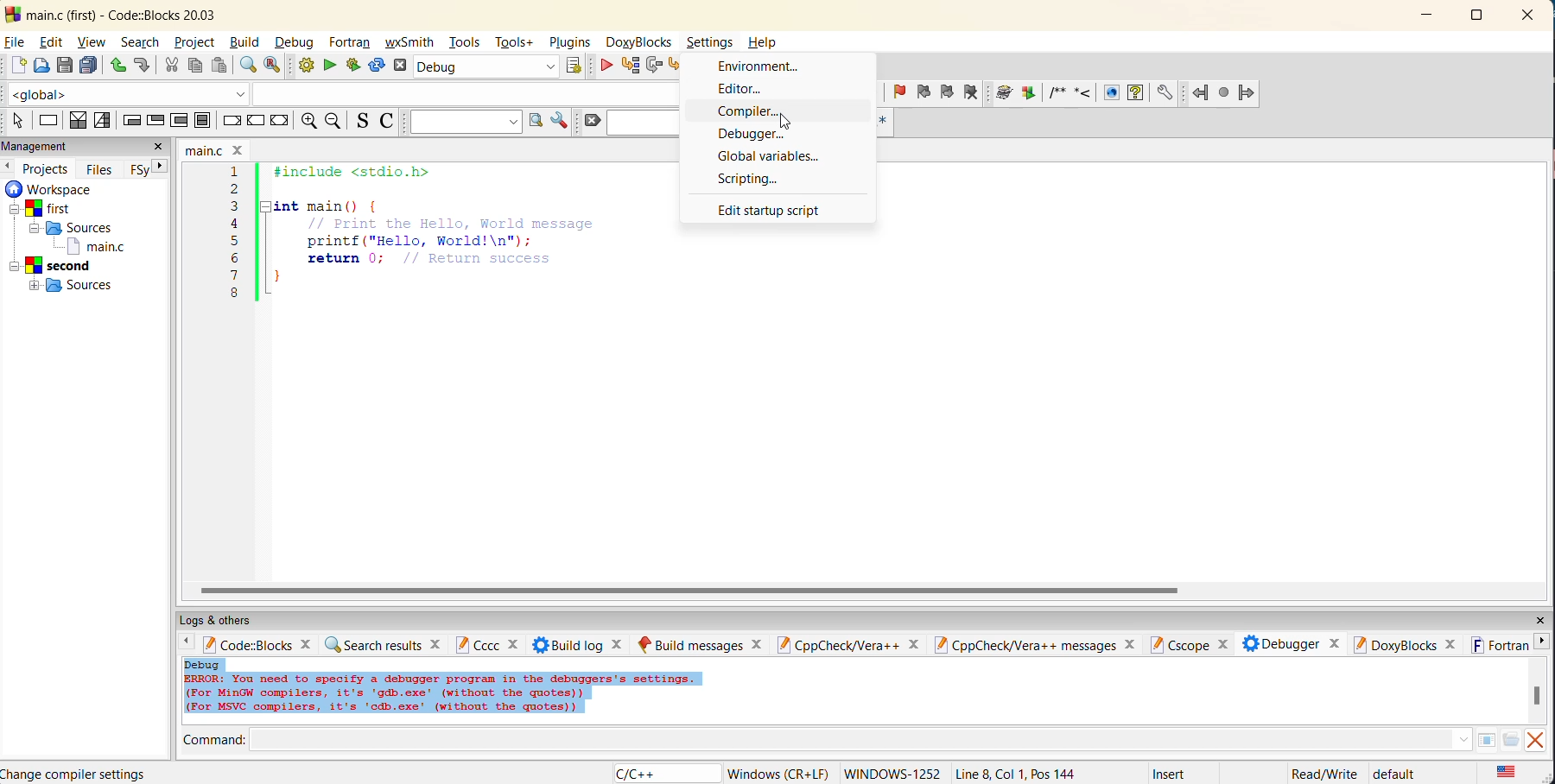  Describe the element at coordinates (974, 92) in the screenshot. I see `clear bookmarks` at that location.